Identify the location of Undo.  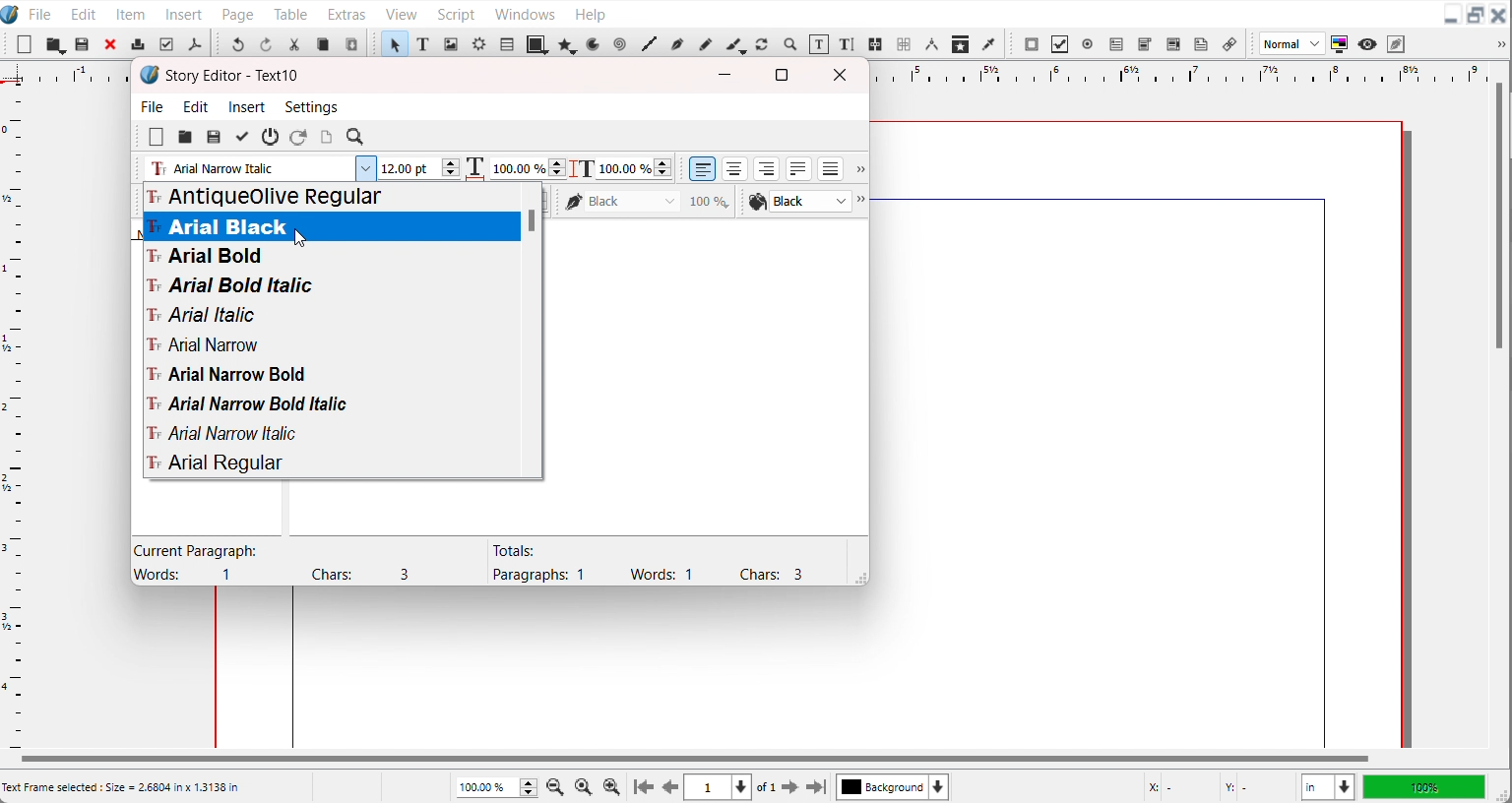
(237, 43).